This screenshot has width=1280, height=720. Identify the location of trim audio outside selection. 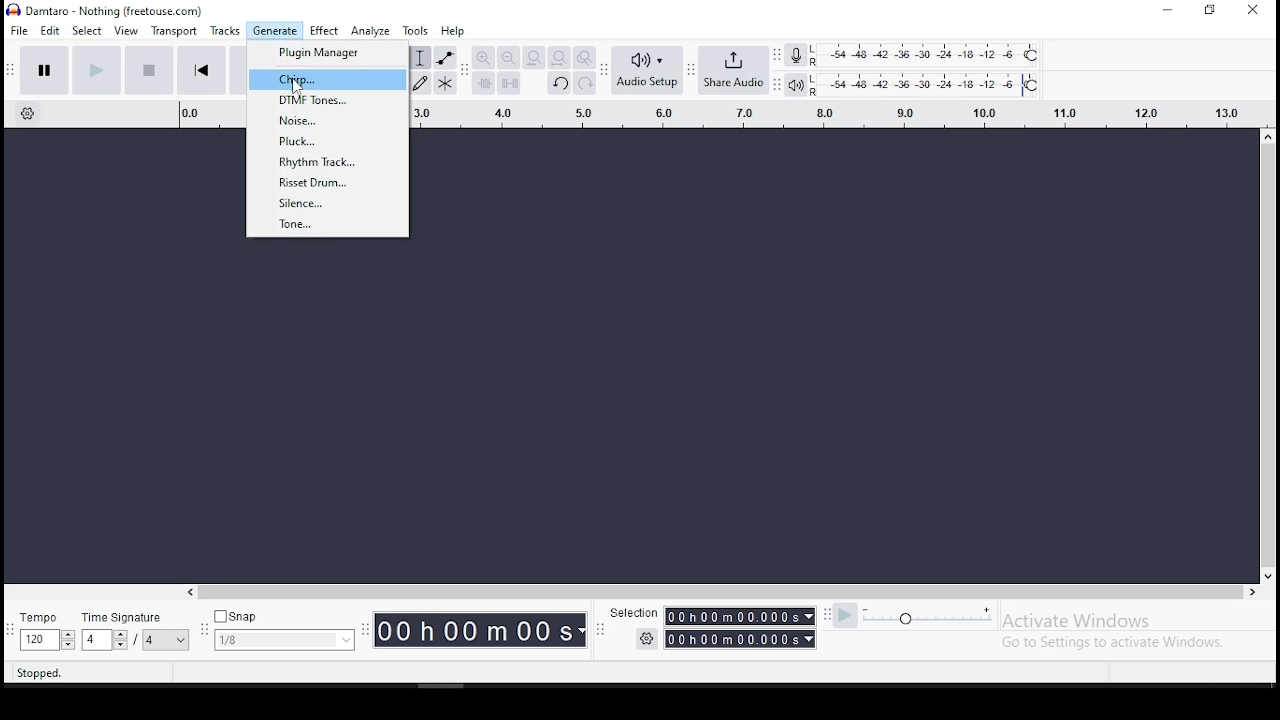
(483, 83).